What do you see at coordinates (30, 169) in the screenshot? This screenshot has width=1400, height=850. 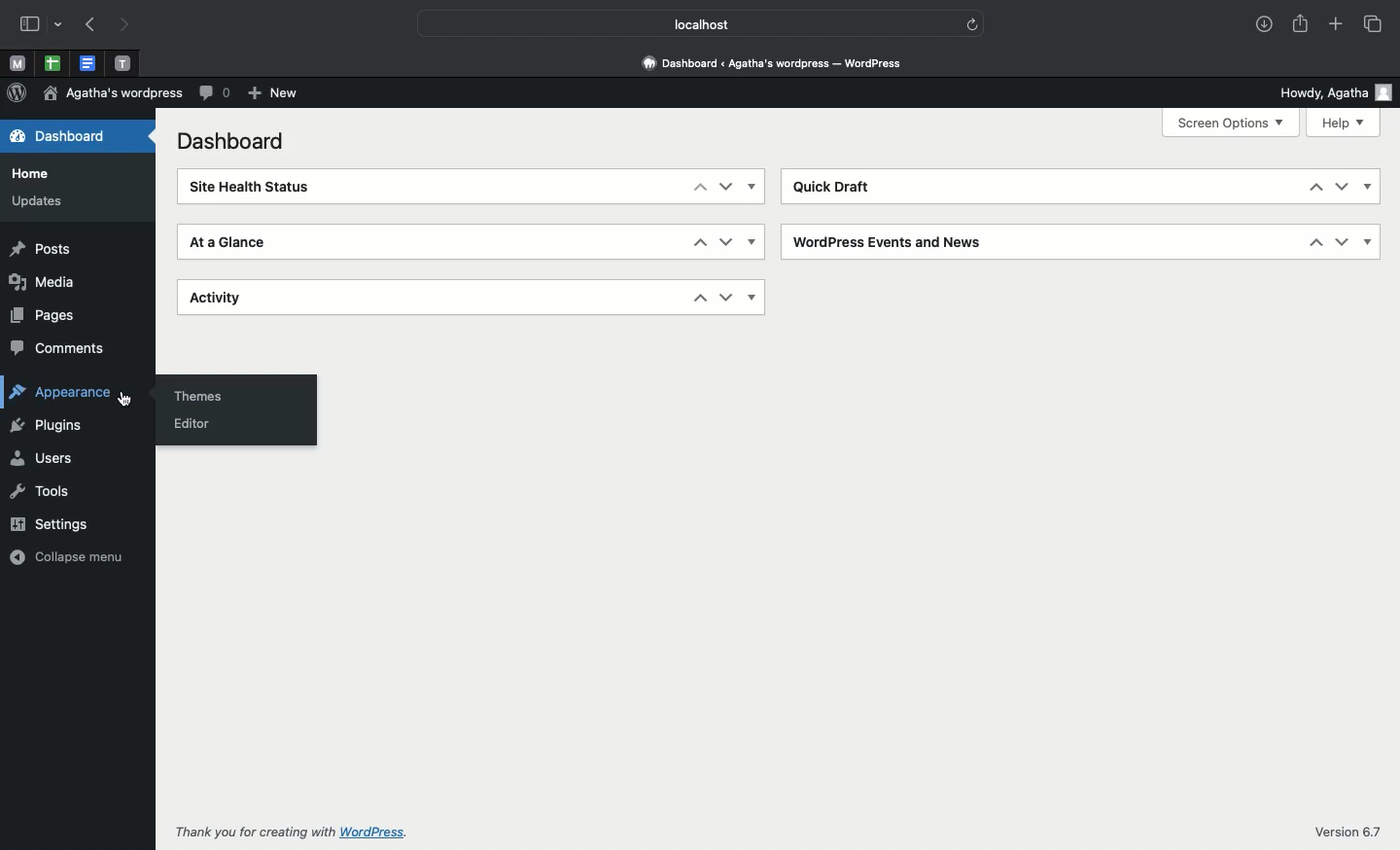 I see `Home` at bounding box center [30, 169].